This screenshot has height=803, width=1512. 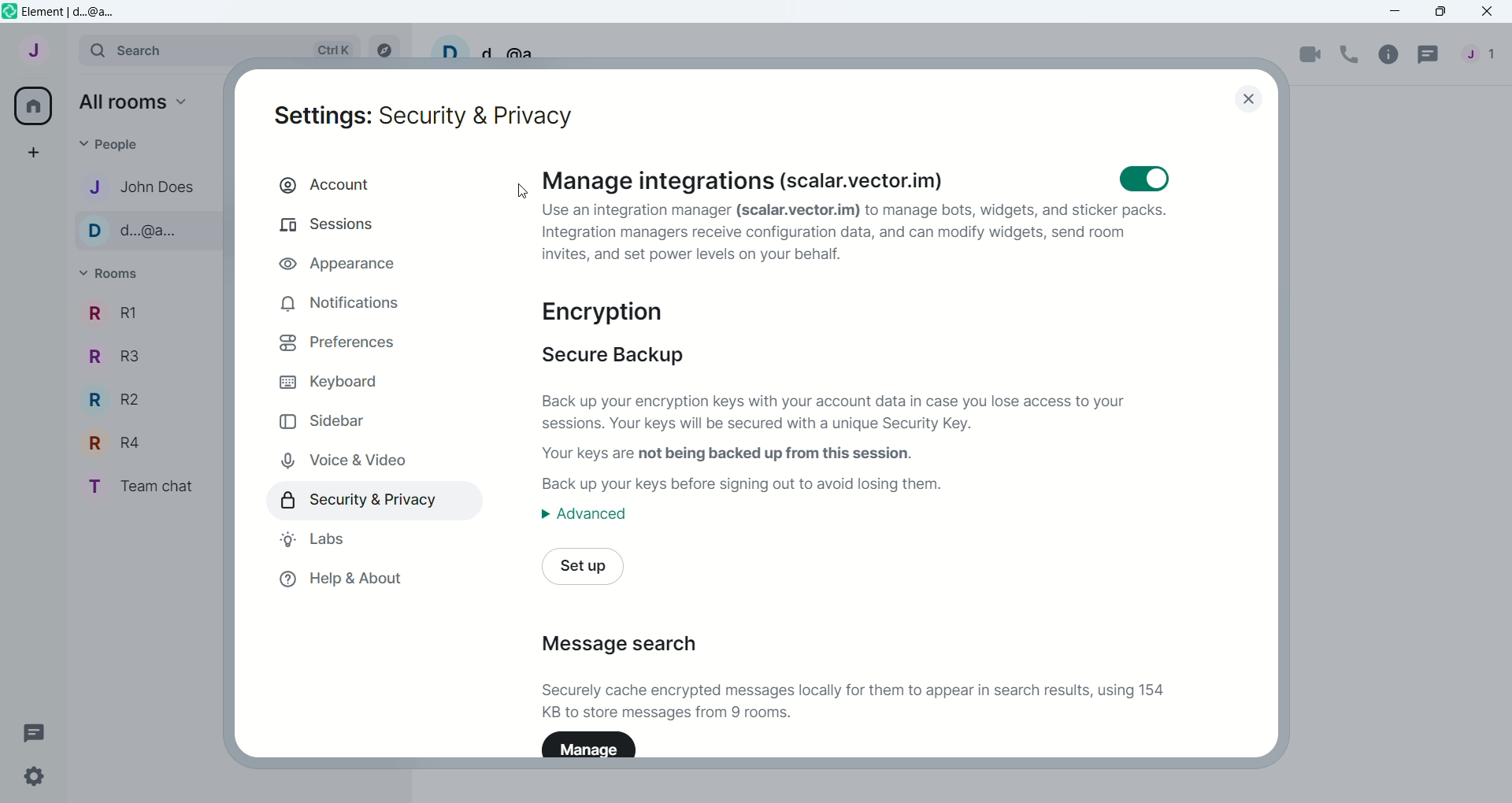 I want to click on keyboard, so click(x=344, y=386).